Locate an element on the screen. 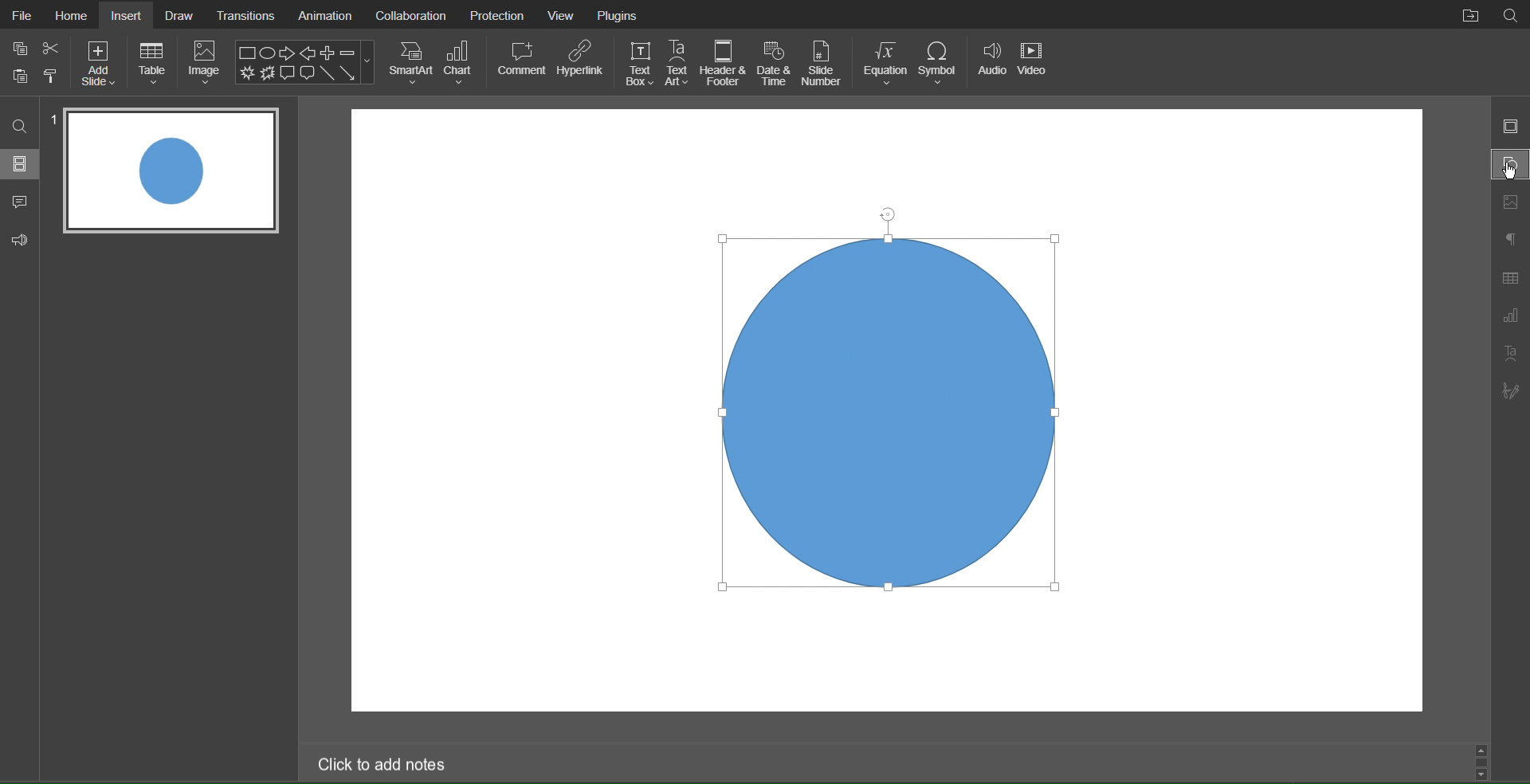 The height and width of the screenshot is (784, 1530). Table is located at coordinates (151, 62).